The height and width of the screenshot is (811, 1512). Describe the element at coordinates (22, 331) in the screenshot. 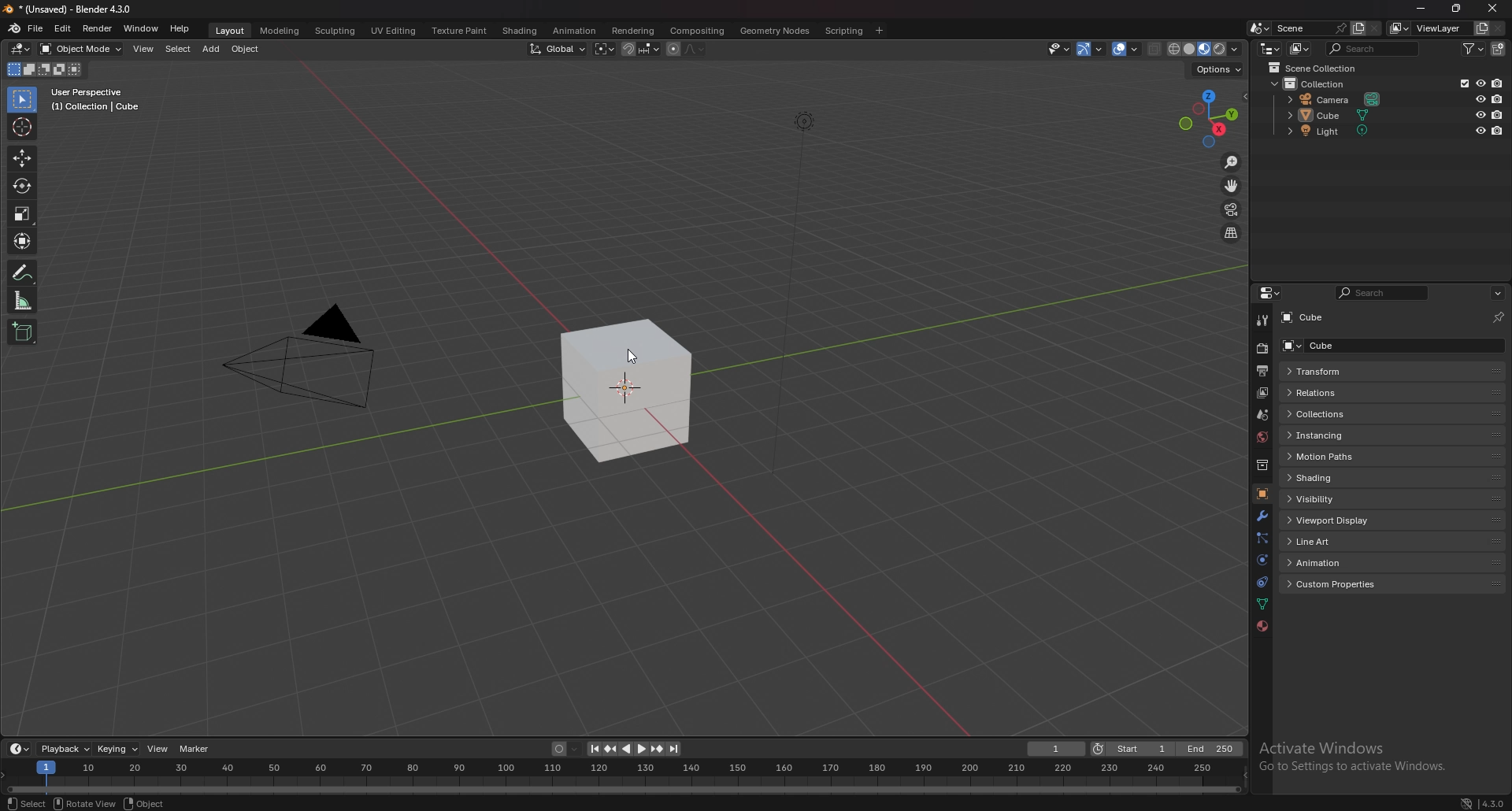

I see `add cube` at that location.